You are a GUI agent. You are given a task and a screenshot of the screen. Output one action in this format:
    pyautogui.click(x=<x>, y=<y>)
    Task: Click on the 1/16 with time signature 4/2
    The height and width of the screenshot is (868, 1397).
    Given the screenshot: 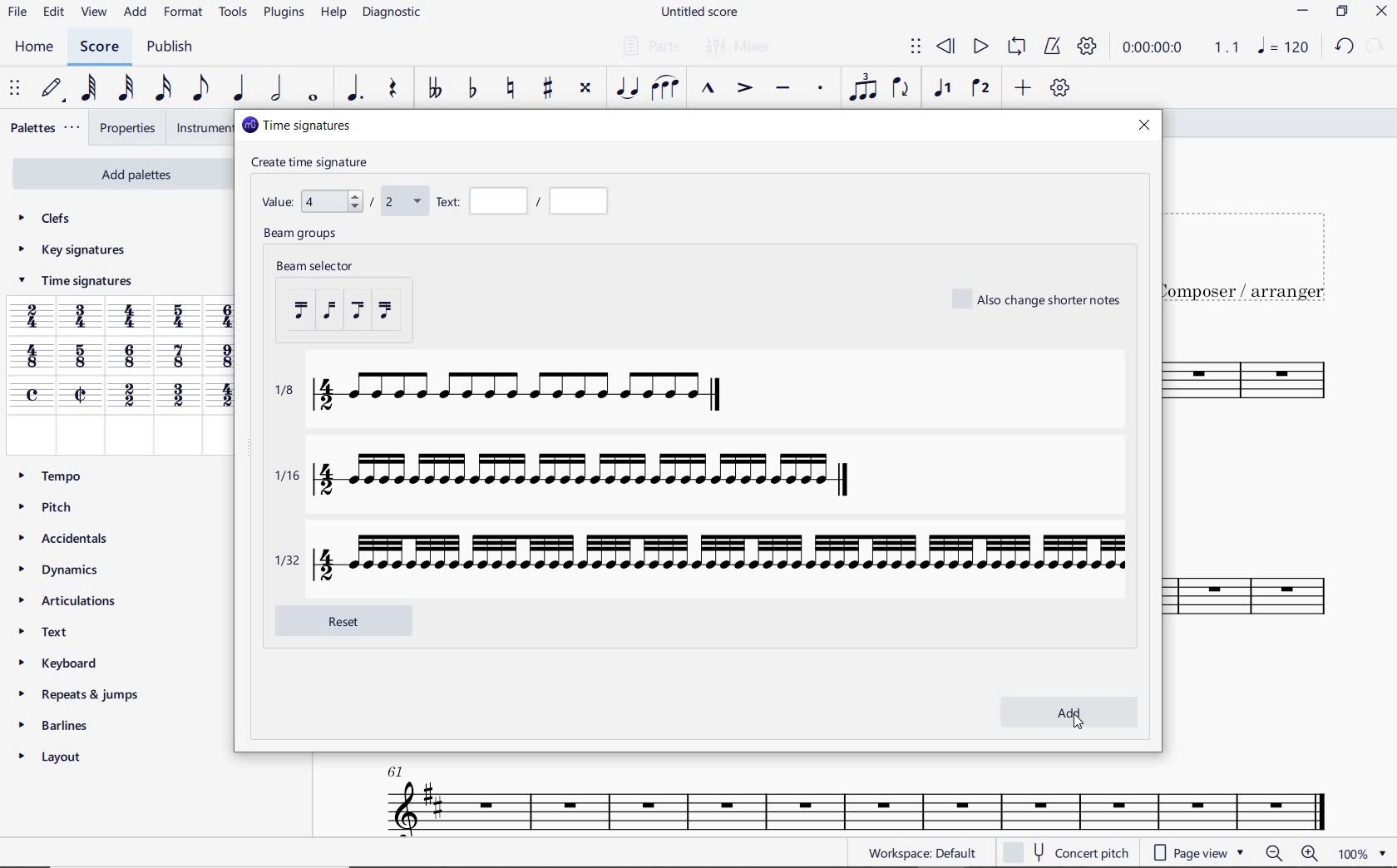 What is the action you would take?
    pyautogui.click(x=580, y=477)
    